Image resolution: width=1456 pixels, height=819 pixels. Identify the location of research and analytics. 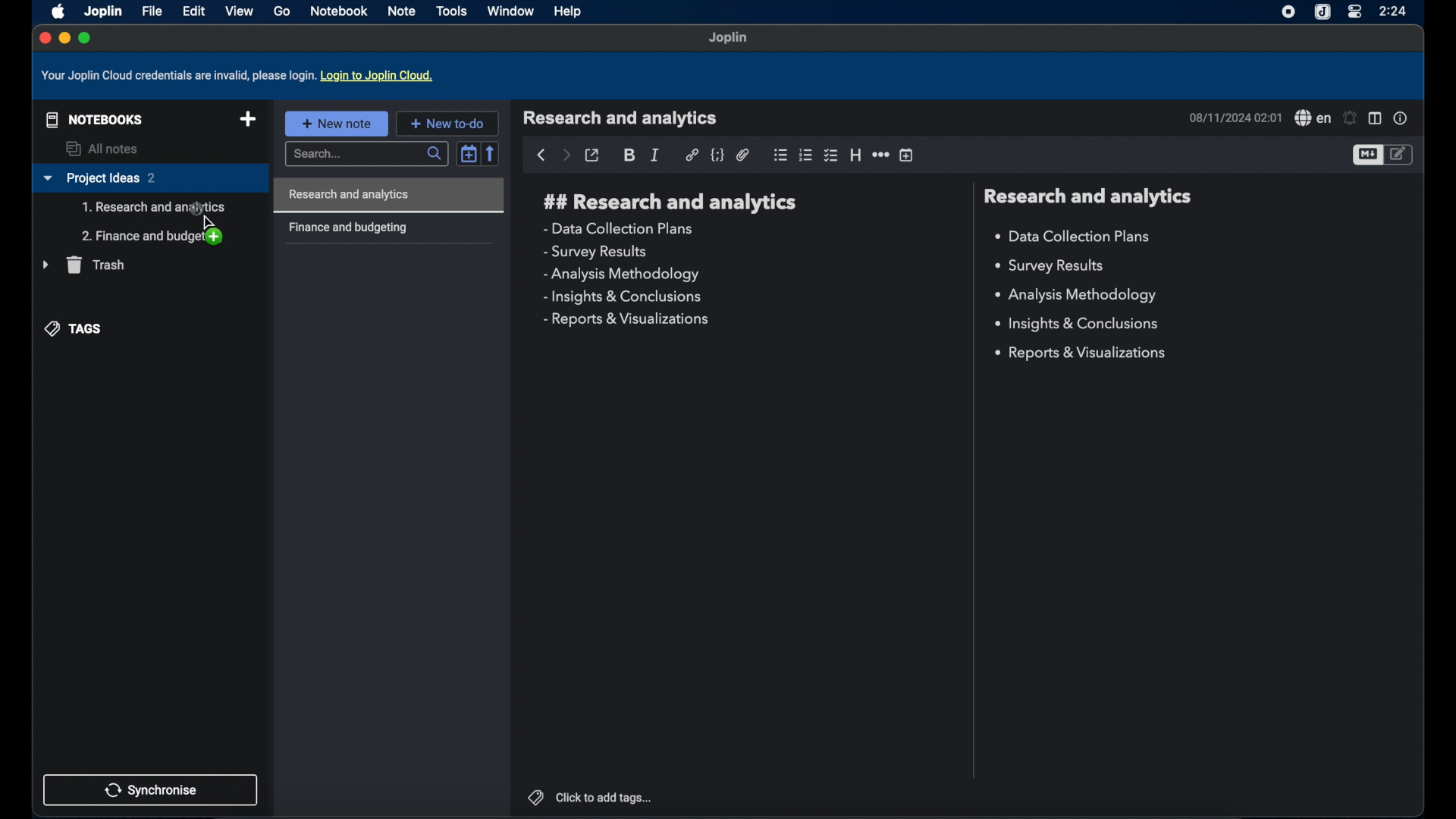
(620, 118).